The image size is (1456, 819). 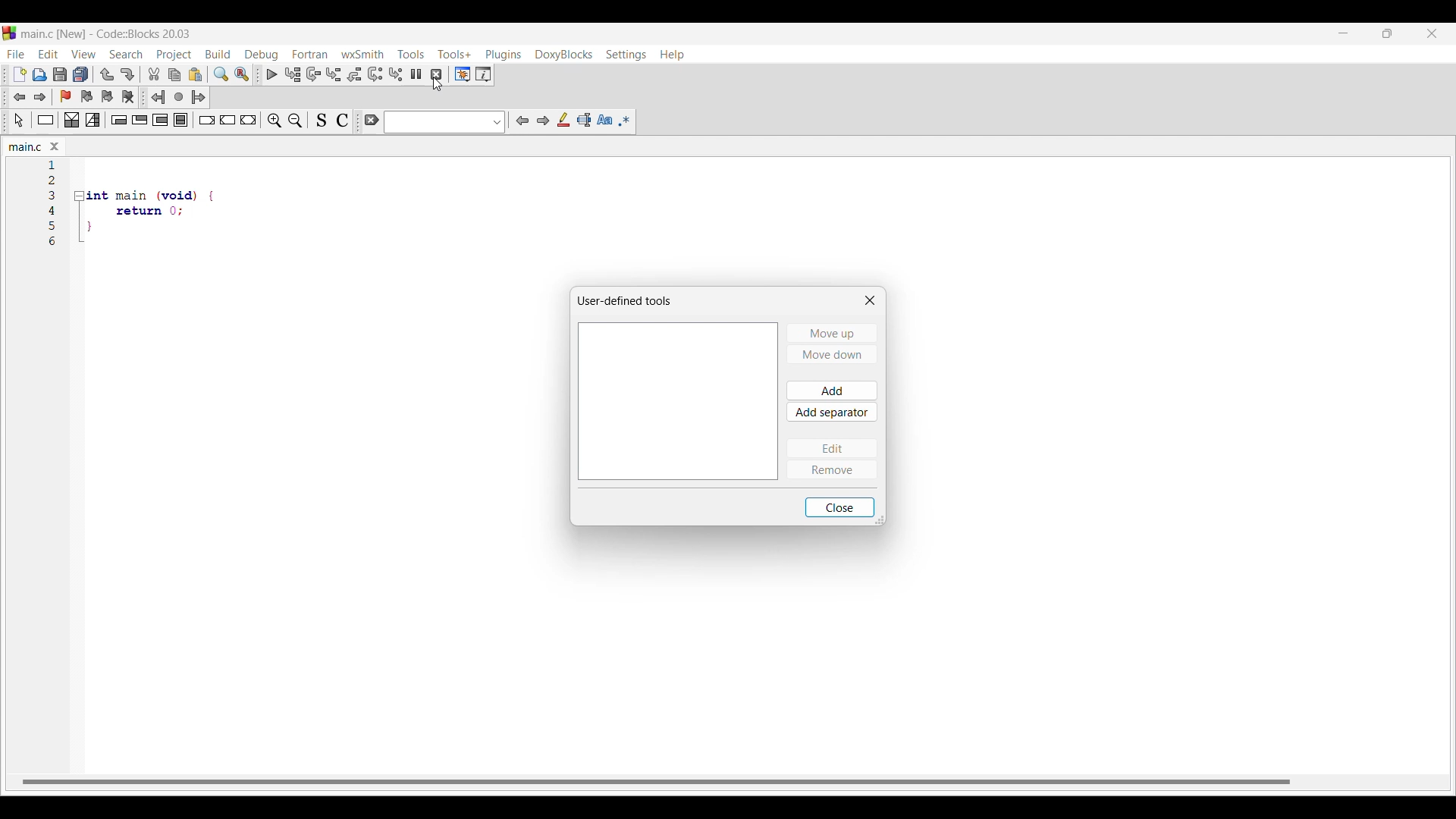 I want to click on Stop debugger, so click(x=436, y=74).